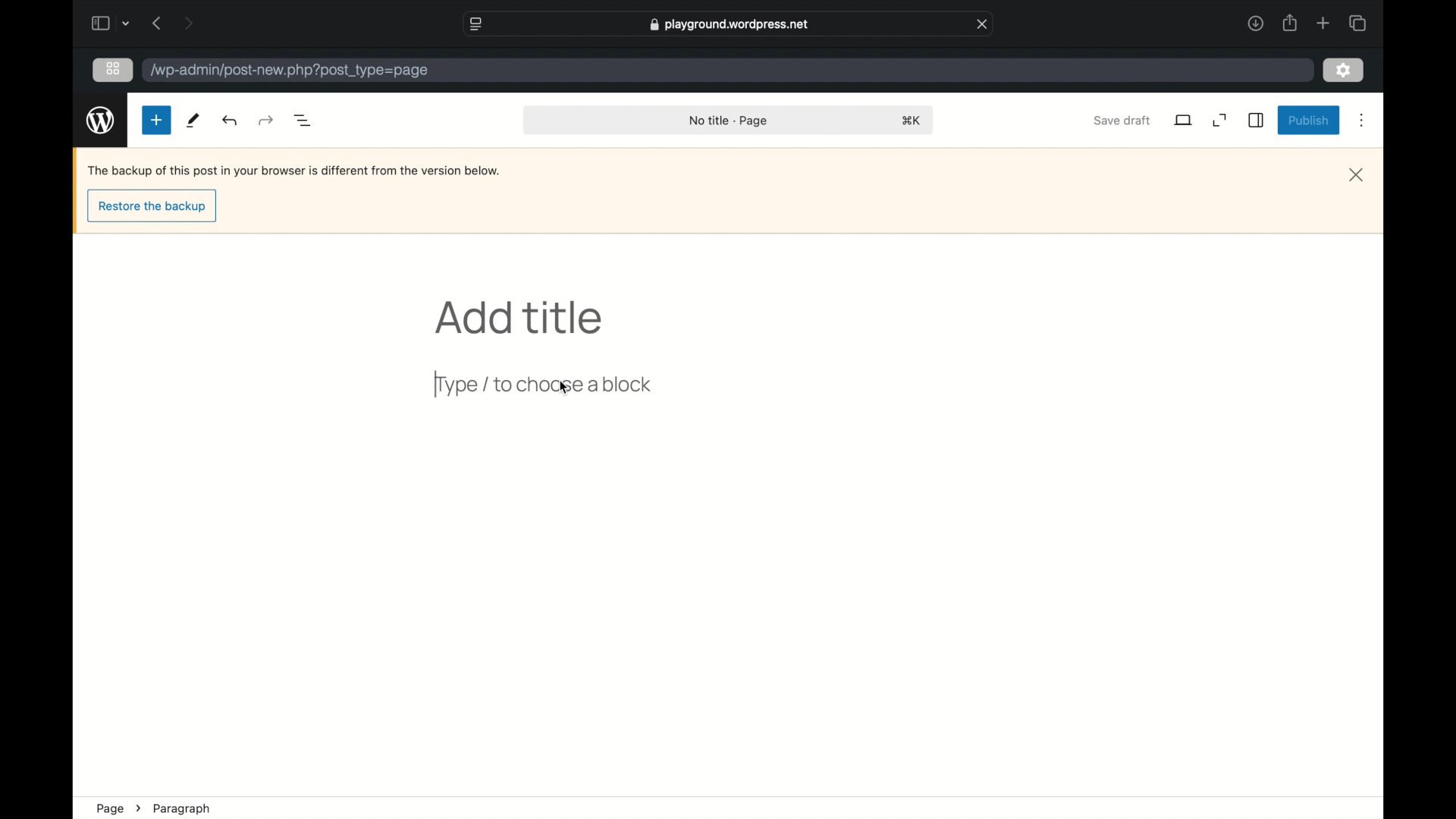  What do you see at coordinates (100, 120) in the screenshot?
I see `wordpress` at bounding box center [100, 120].